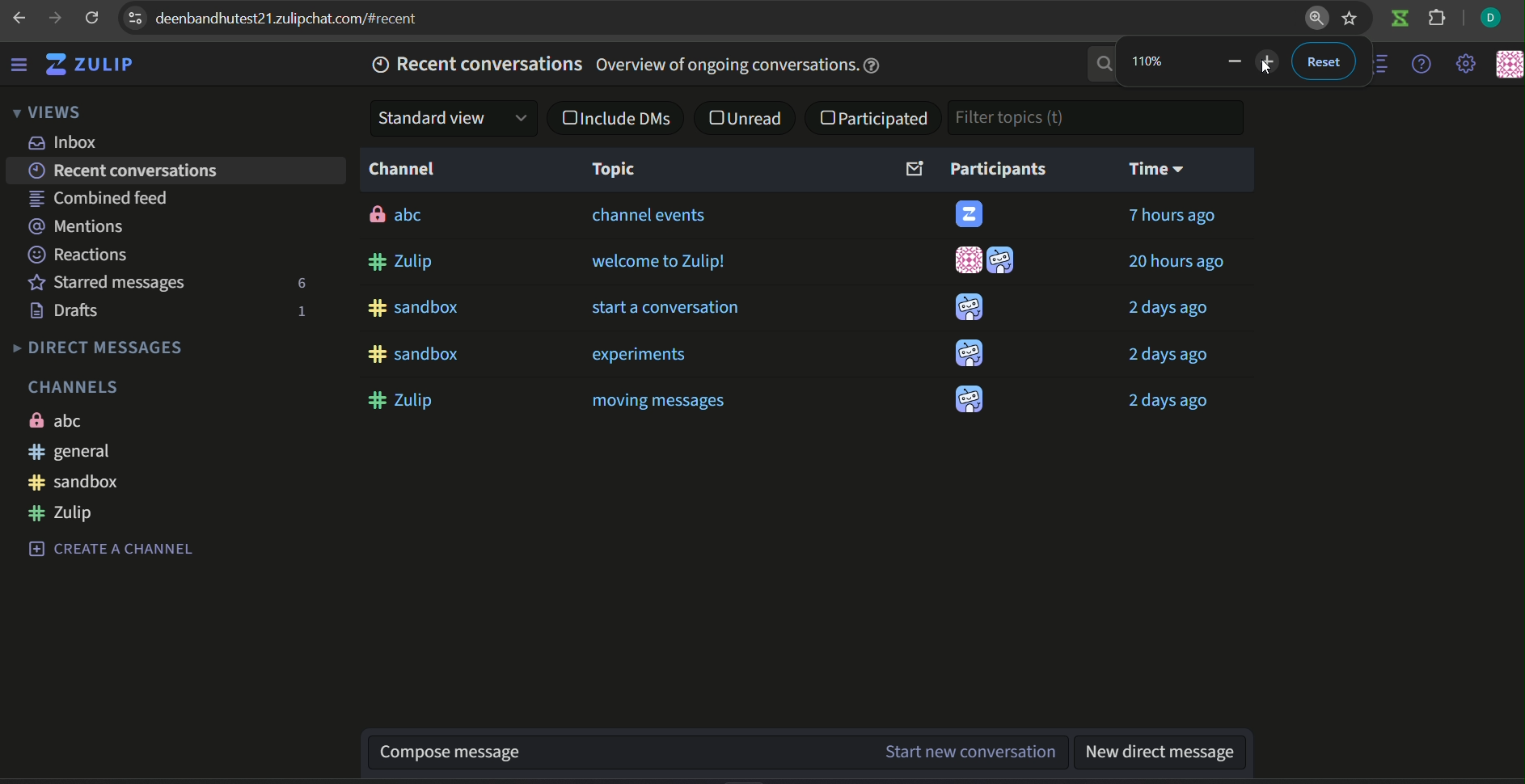 The image size is (1525, 784). What do you see at coordinates (615, 170) in the screenshot?
I see `Topic` at bounding box center [615, 170].